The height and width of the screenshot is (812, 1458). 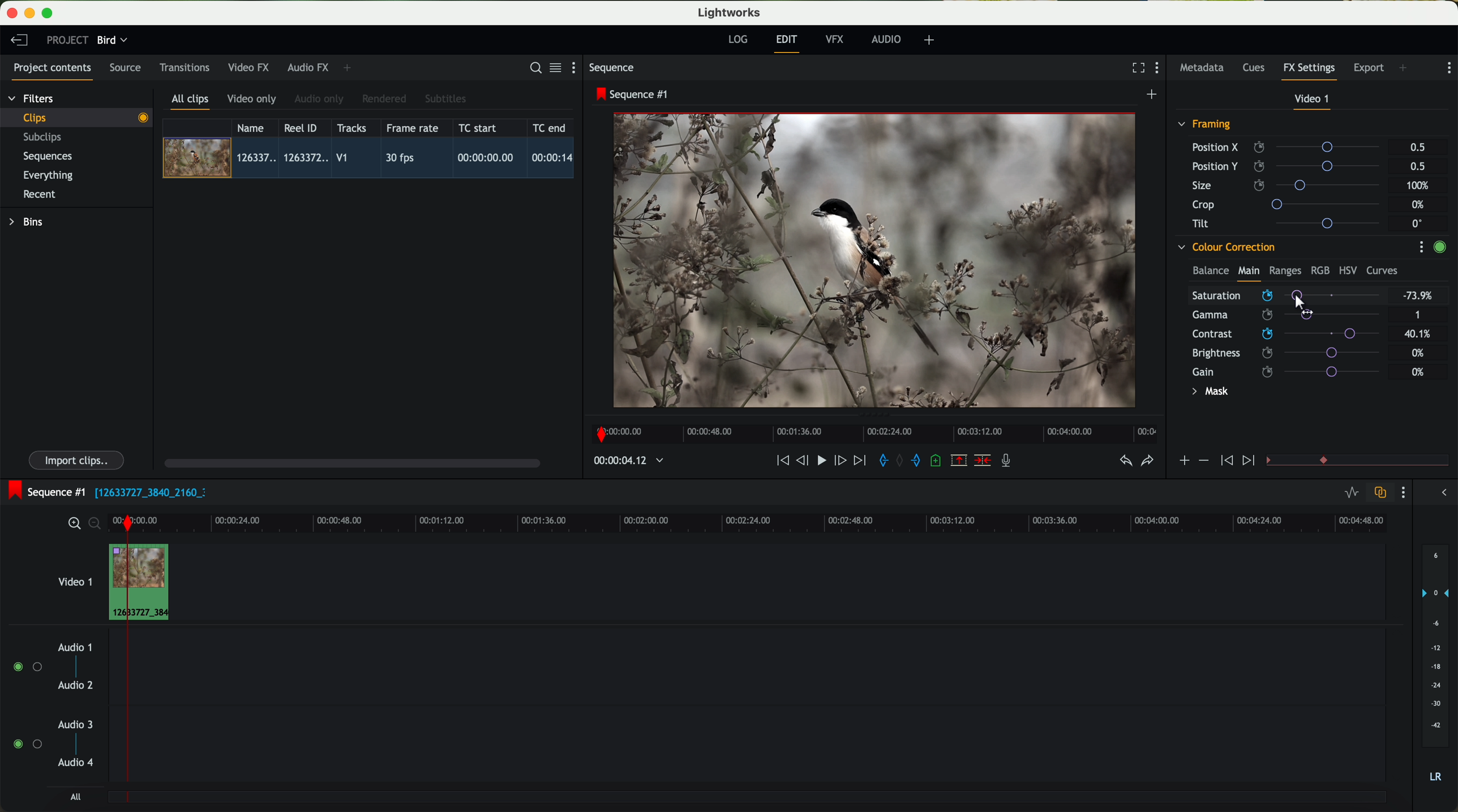 What do you see at coordinates (48, 157) in the screenshot?
I see `sequences` at bounding box center [48, 157].